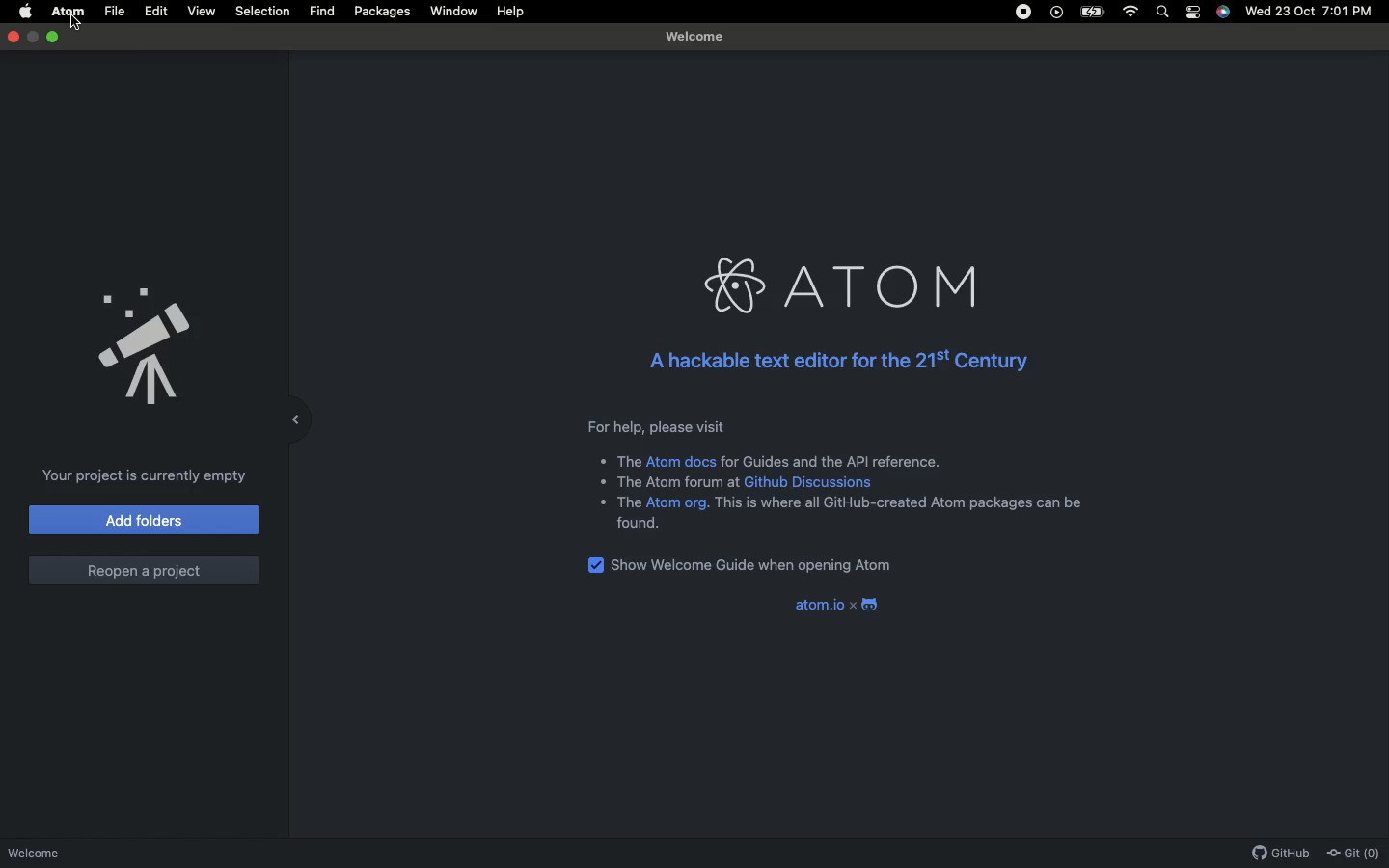  I want to click on Voice control, so click(1225, 12).